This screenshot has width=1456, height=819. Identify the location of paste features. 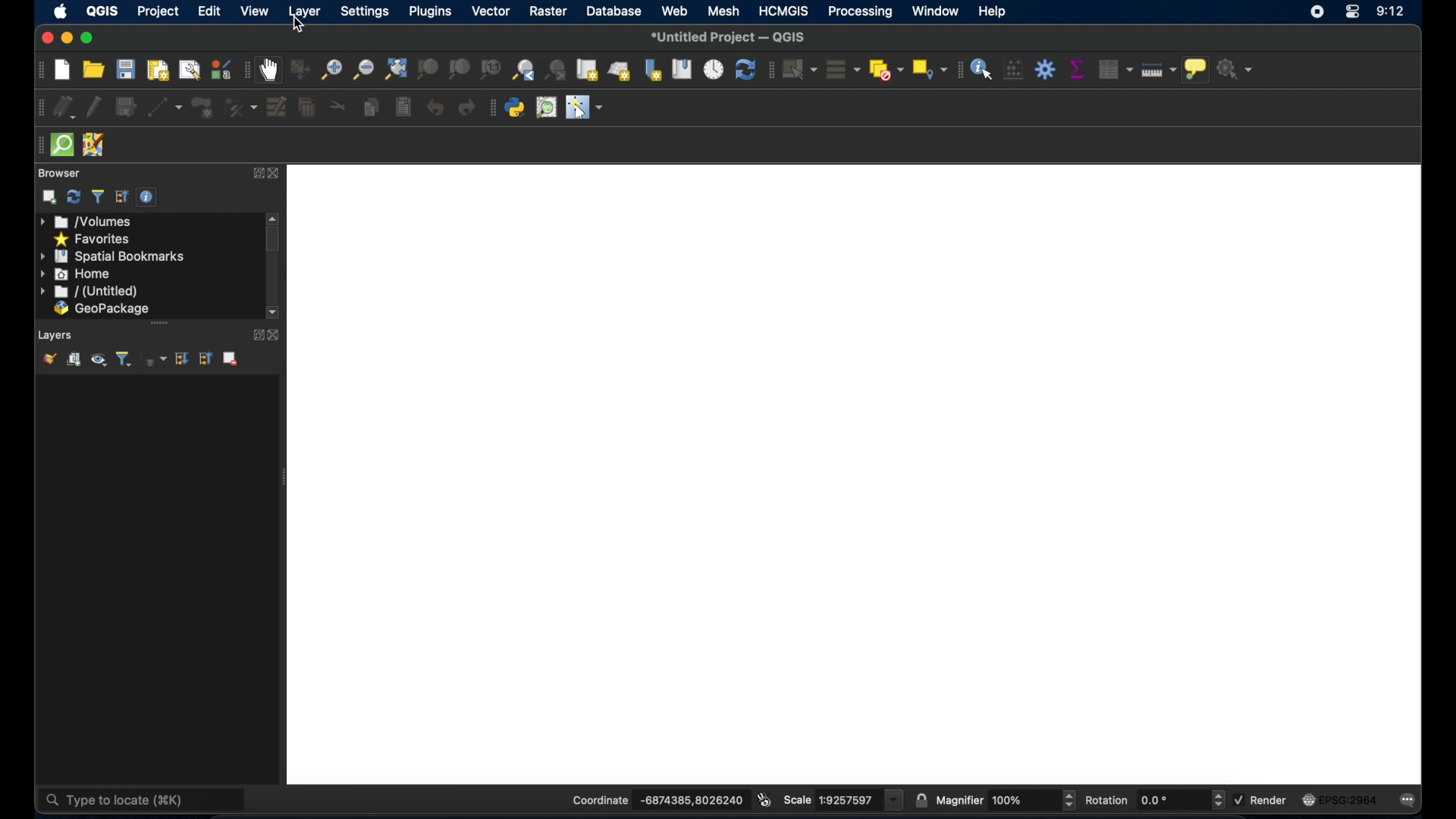
(403, 108).